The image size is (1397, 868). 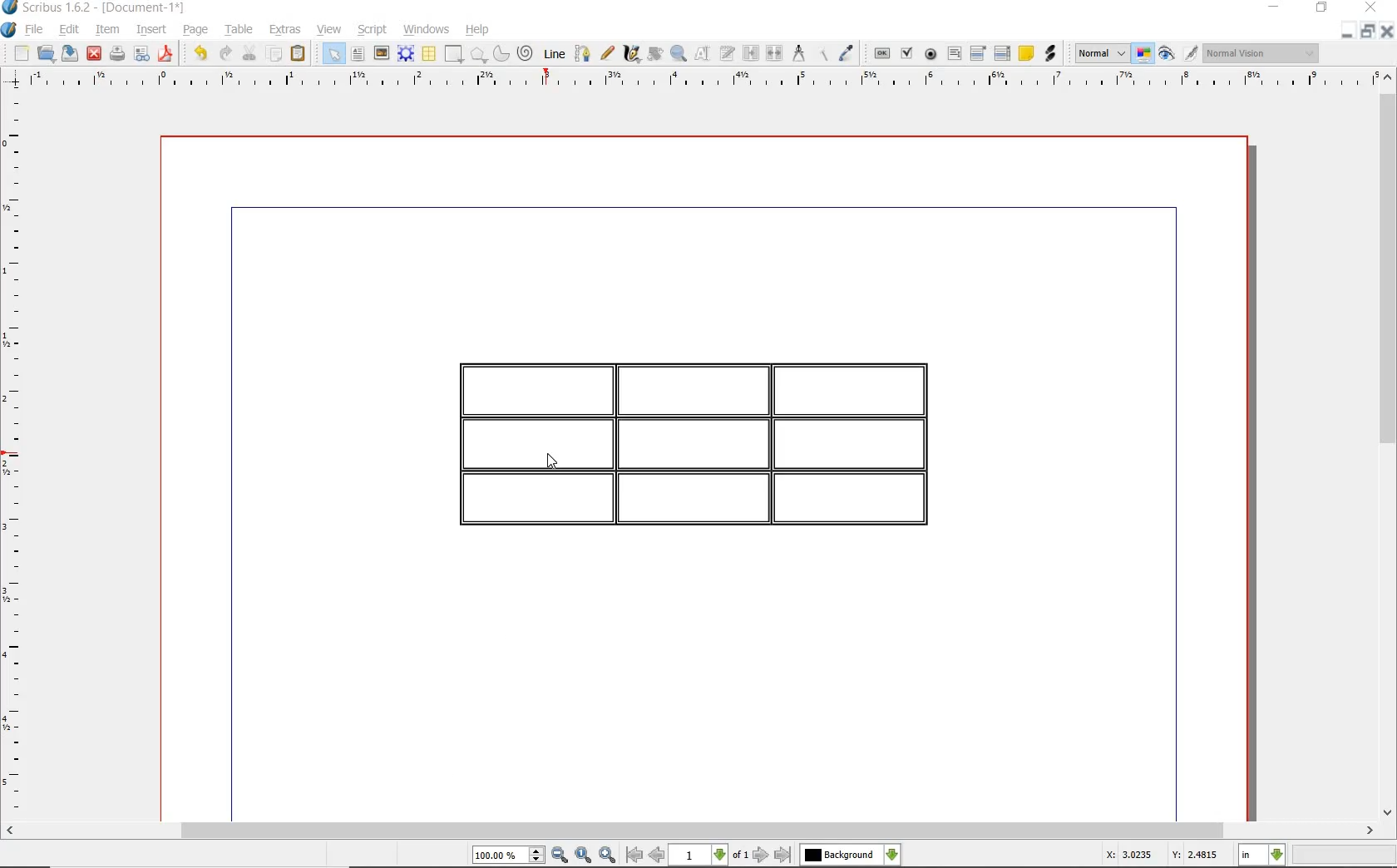 What do you see at coordinates (931, 55) in the screenshot?
I see `pdf radio button` at bounding box center [931, 55].